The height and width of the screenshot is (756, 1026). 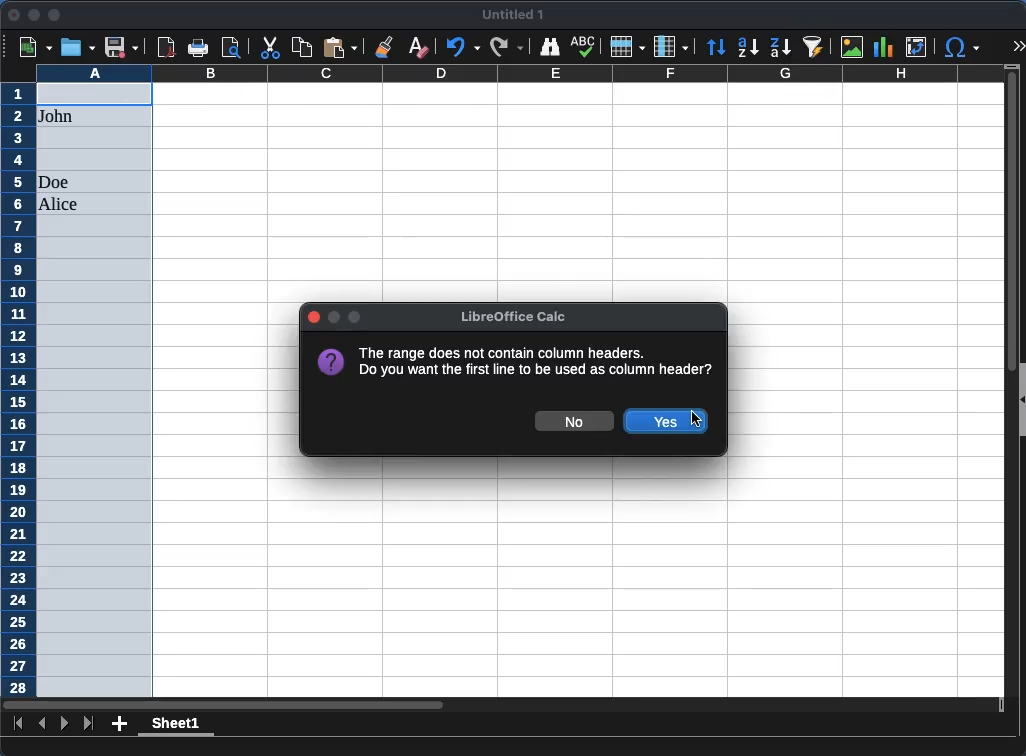 I want to click on sort, so click(x=718, y=47).